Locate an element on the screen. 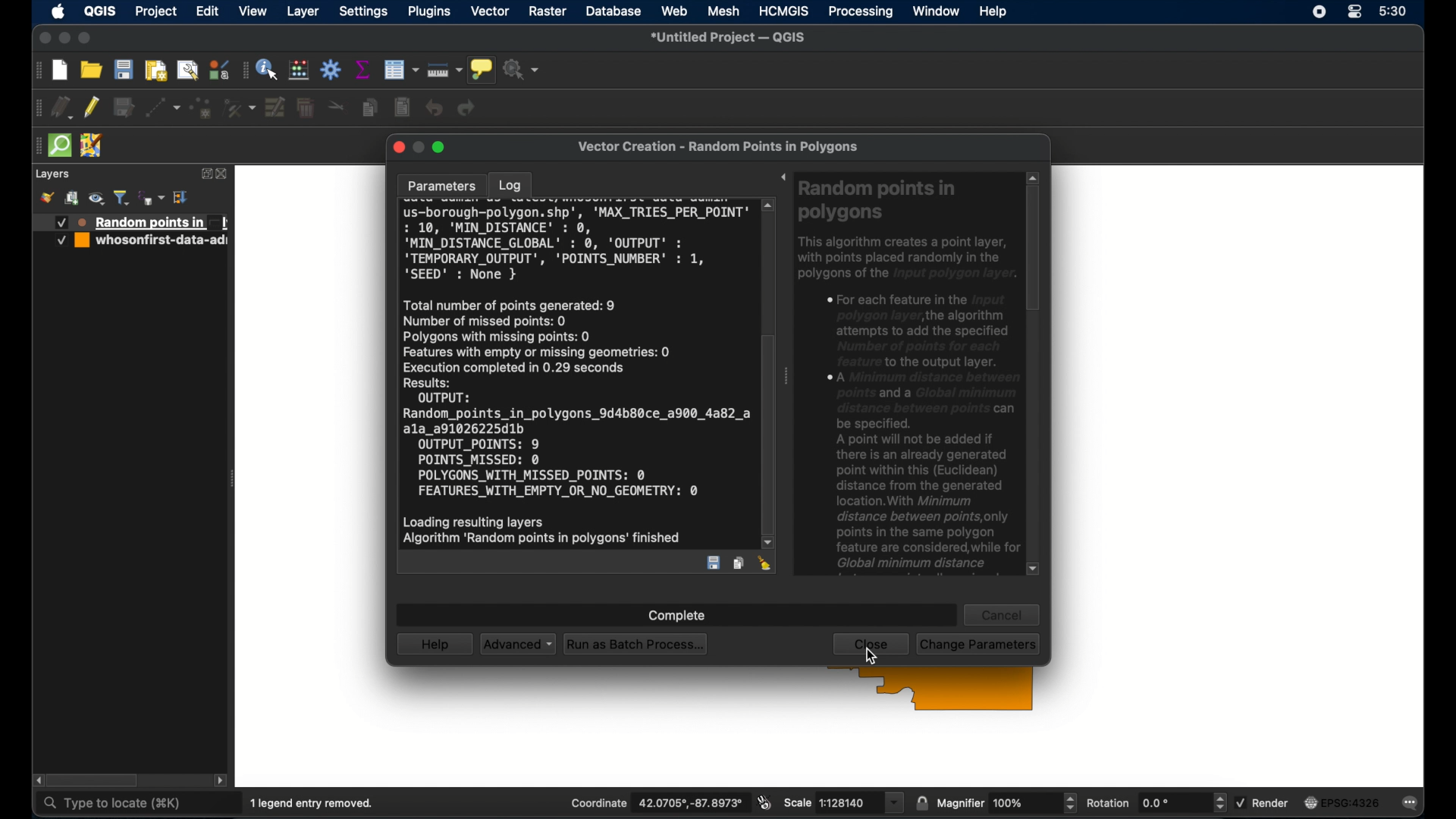 The width and height of the screenshot is (1456, 819). apple icon is located at coordinates (58, 11).